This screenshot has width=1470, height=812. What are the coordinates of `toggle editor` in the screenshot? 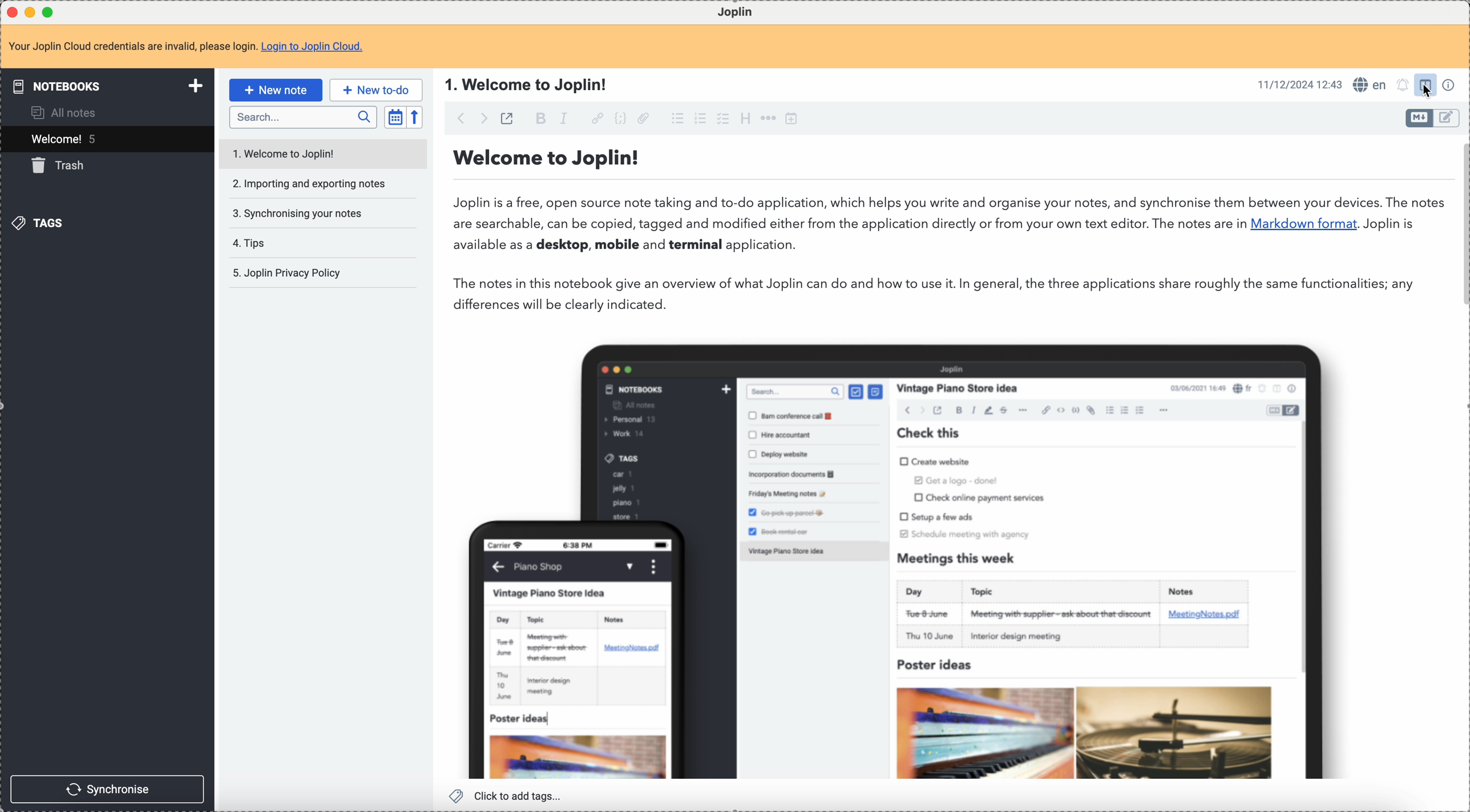 It's located at (1449, 119).